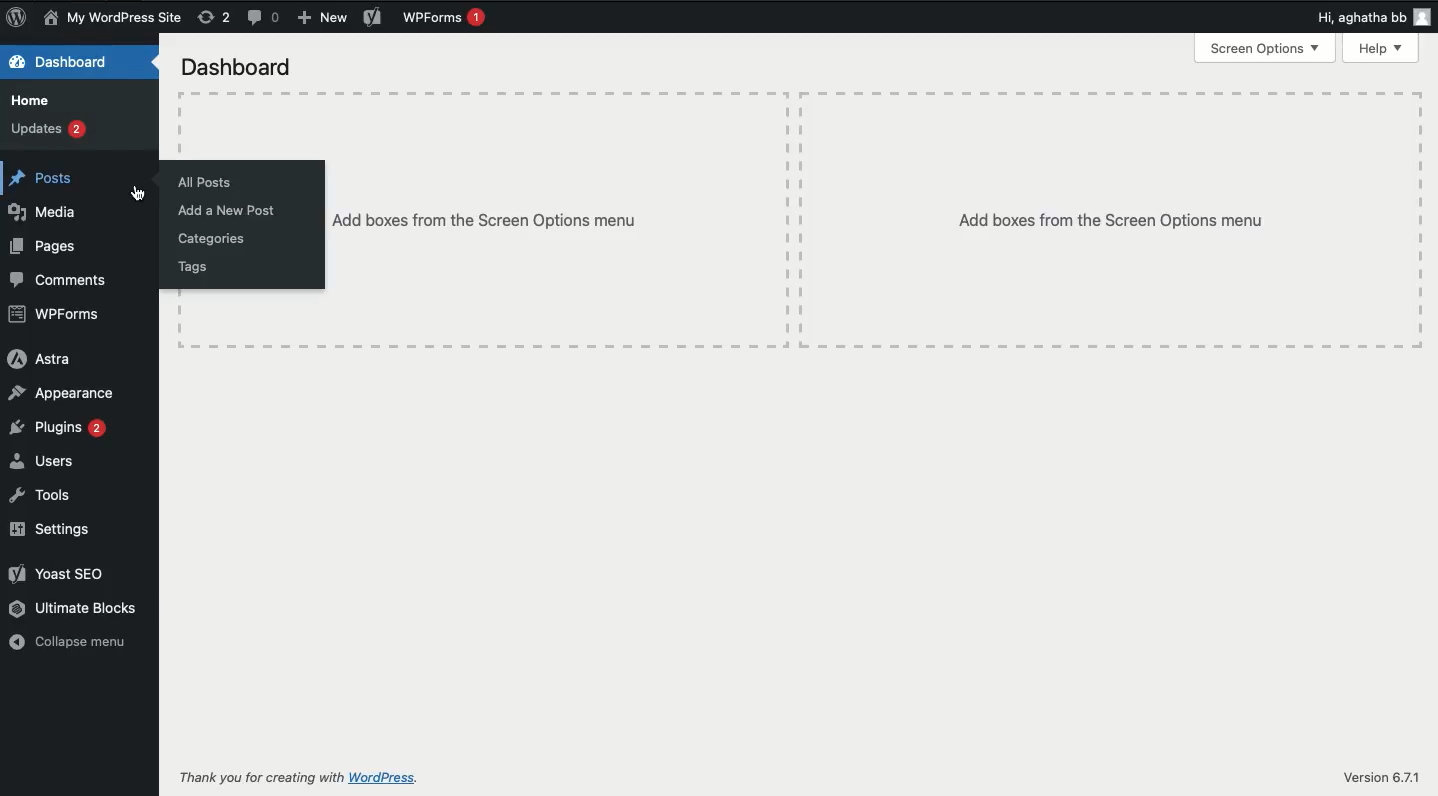 This screenshot has width=1438, height=796. I want to click on Thank you for creating with WordPress, so click(297, 779).